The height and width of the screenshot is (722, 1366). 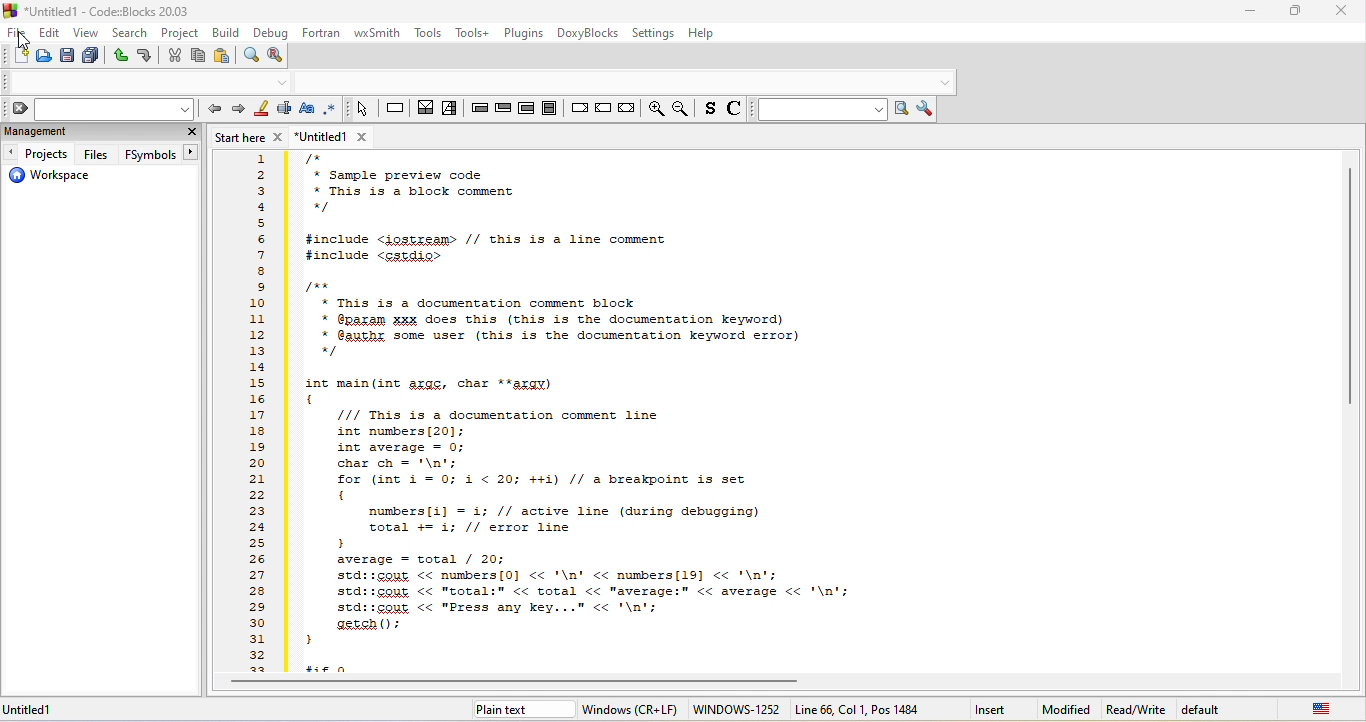 I want to click on read/write, so click(x=1136, y=710).